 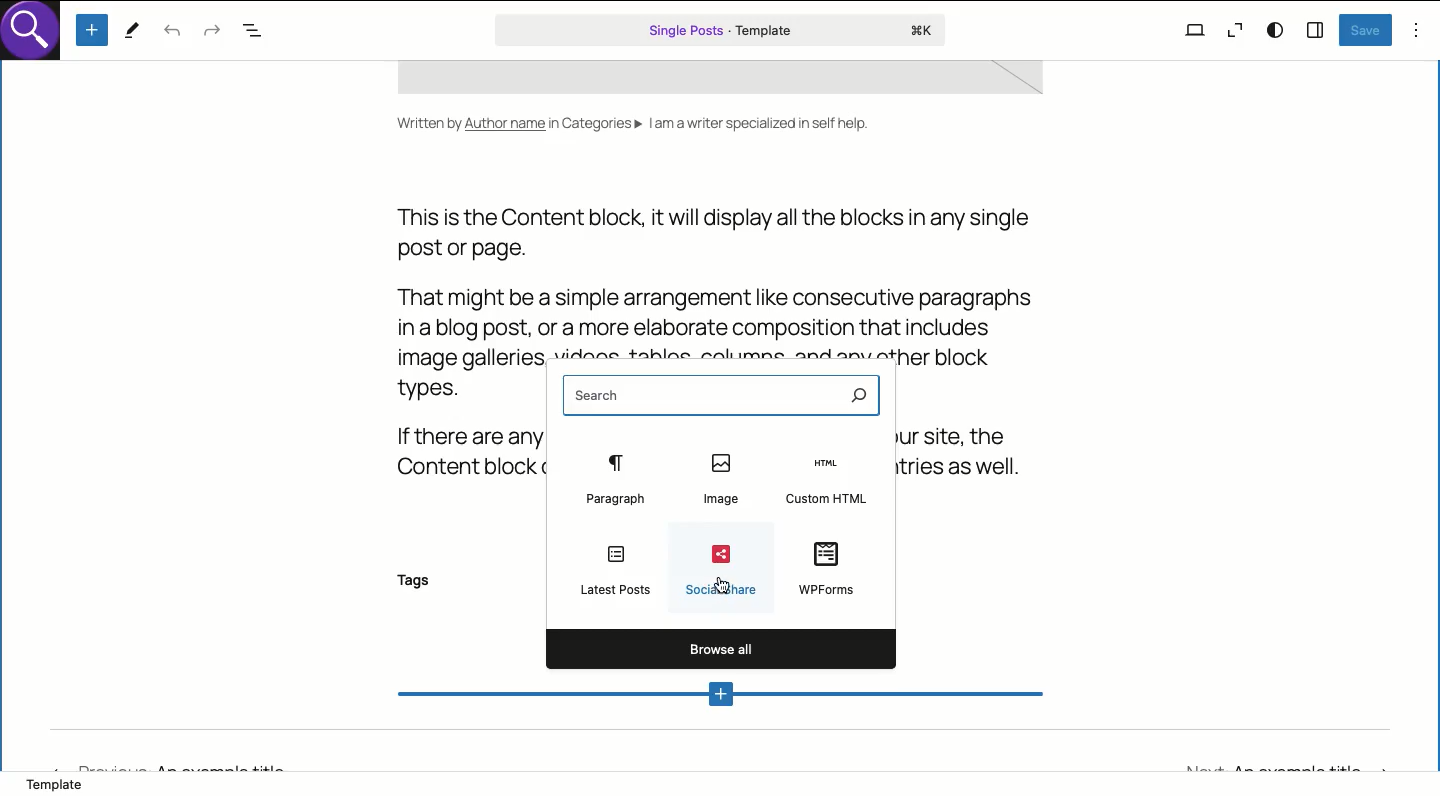 What do you see at coordinates (420, 581) in the screenshot?
I see `Tags` at bounding box center [420, 581].